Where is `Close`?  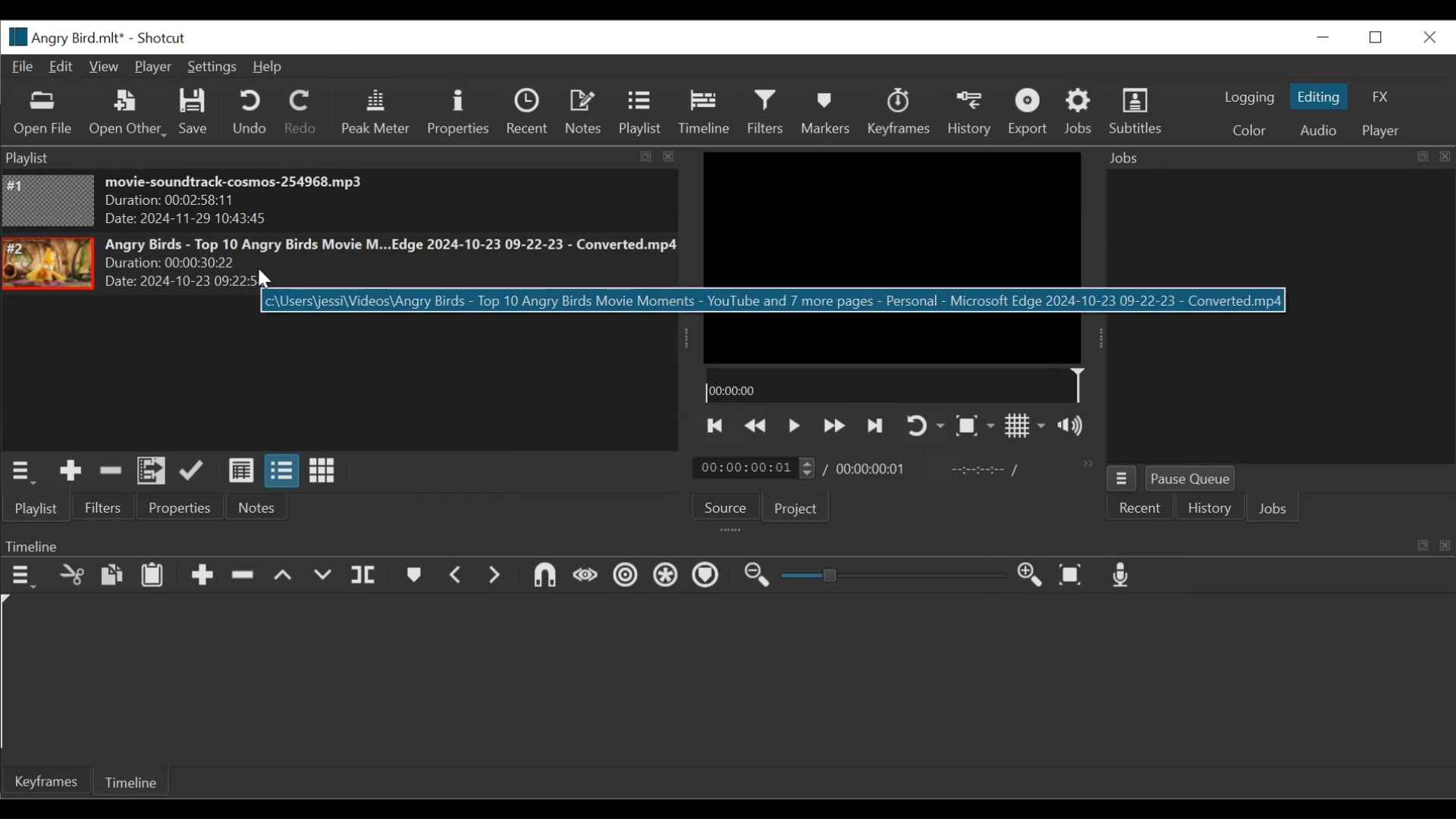 Close is located at coordinates (1429, 35).